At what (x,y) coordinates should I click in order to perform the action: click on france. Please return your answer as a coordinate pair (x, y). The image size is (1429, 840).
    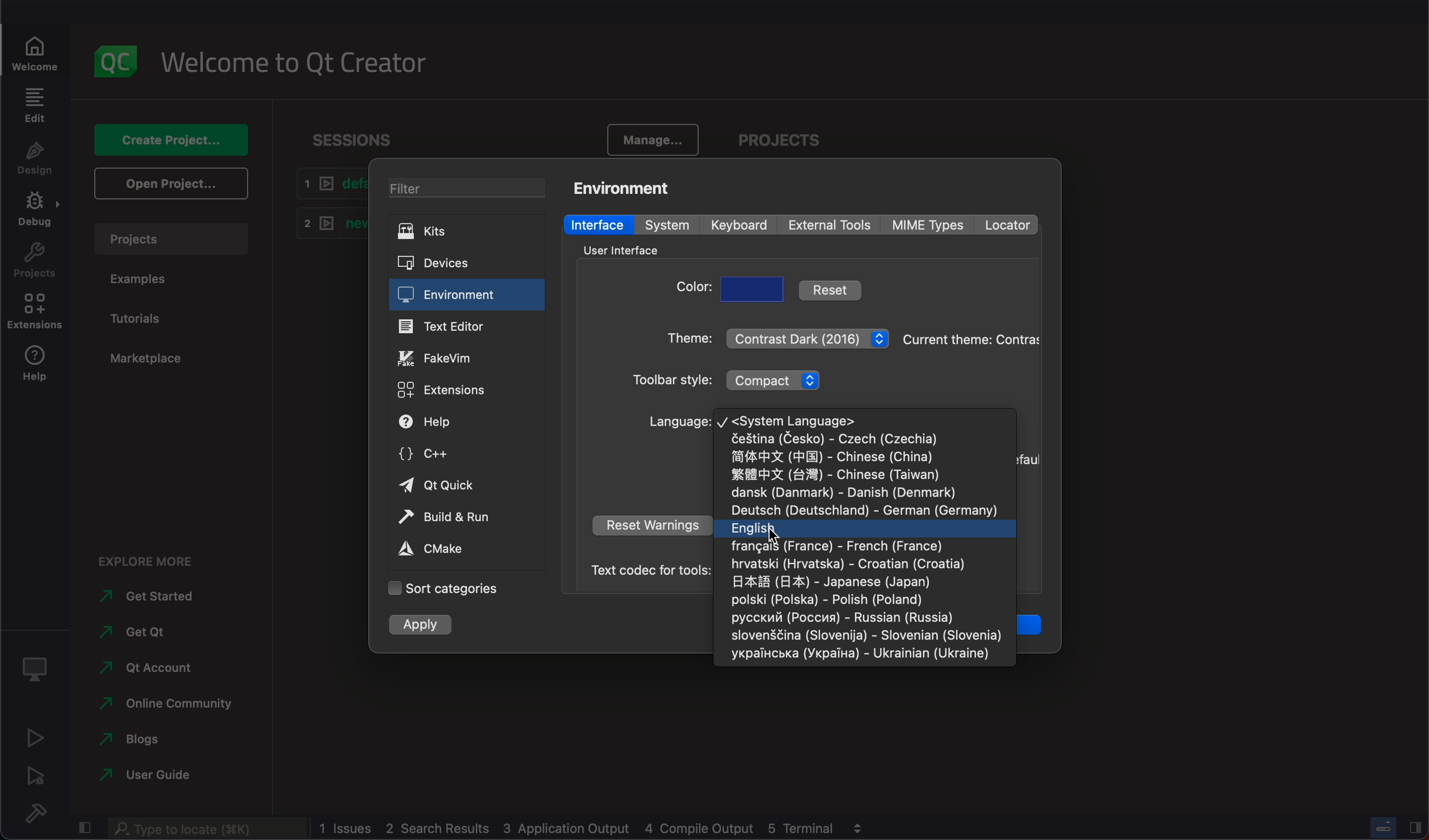
    Looking at the image, I should click on (843, 549).